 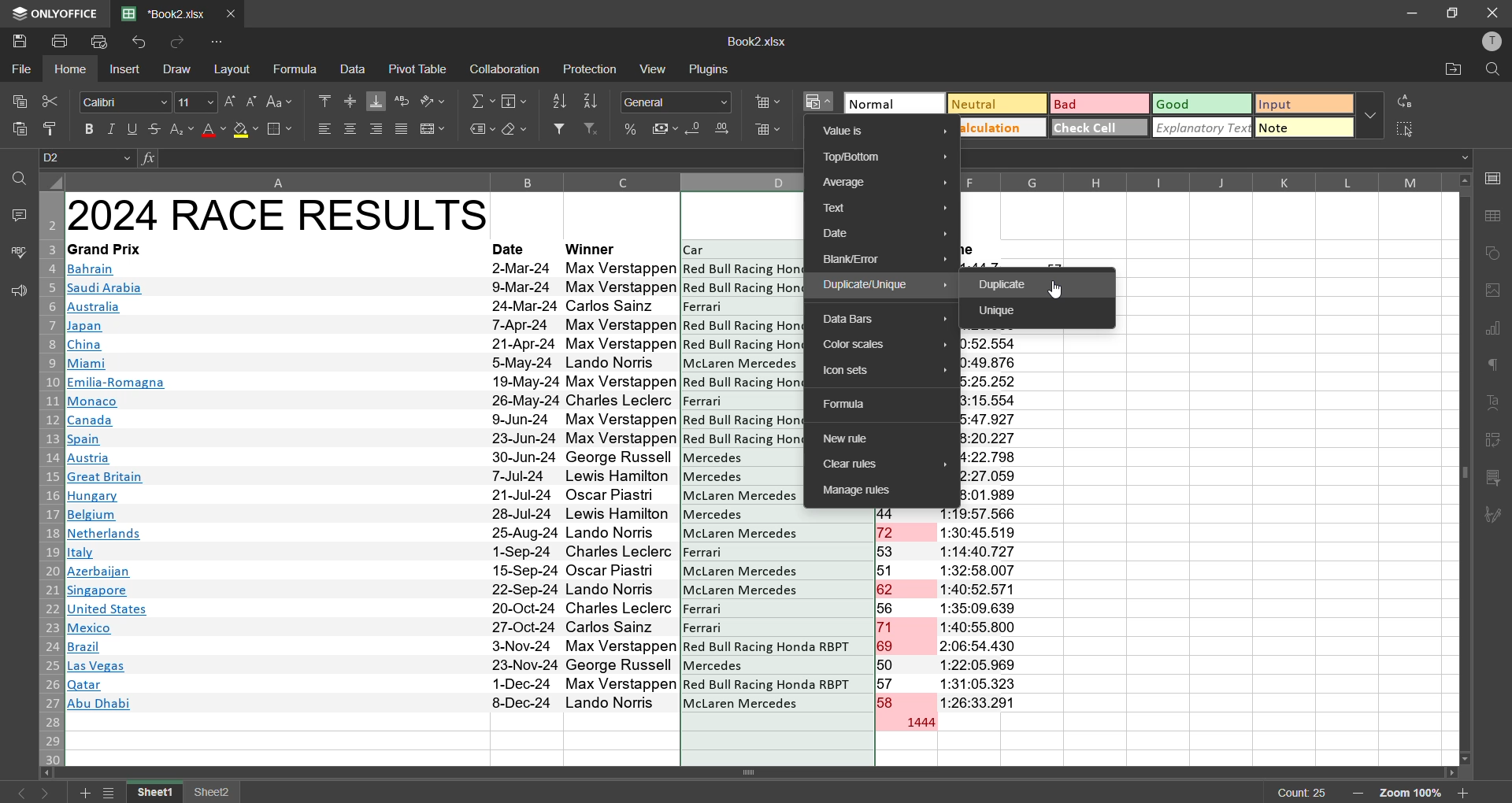 What do you see at coordinates (697, 250) in the screenshot?
I see `car` at bounding box center [697, 250].